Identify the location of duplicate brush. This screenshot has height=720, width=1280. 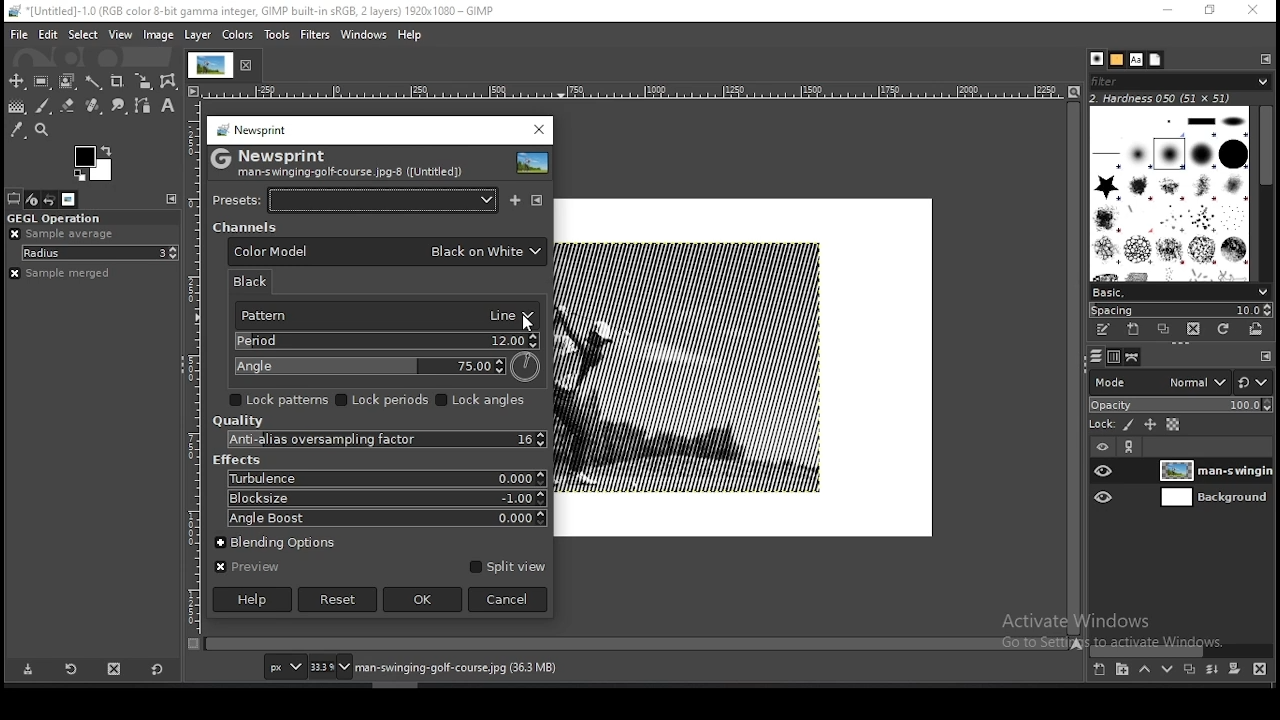
(1162, 330).